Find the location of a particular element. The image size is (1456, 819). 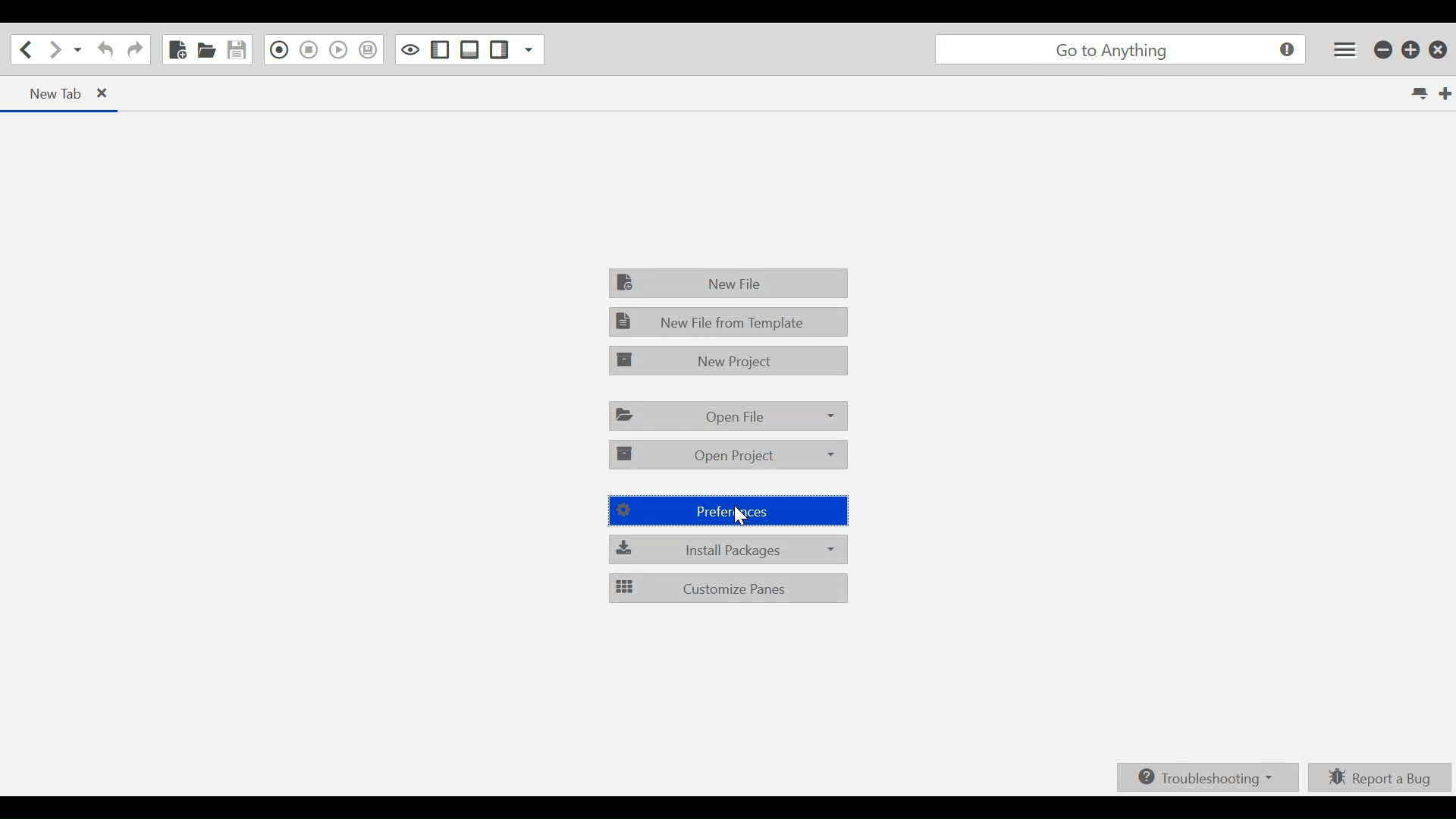

minimize is located at coordinates (1384, 50).